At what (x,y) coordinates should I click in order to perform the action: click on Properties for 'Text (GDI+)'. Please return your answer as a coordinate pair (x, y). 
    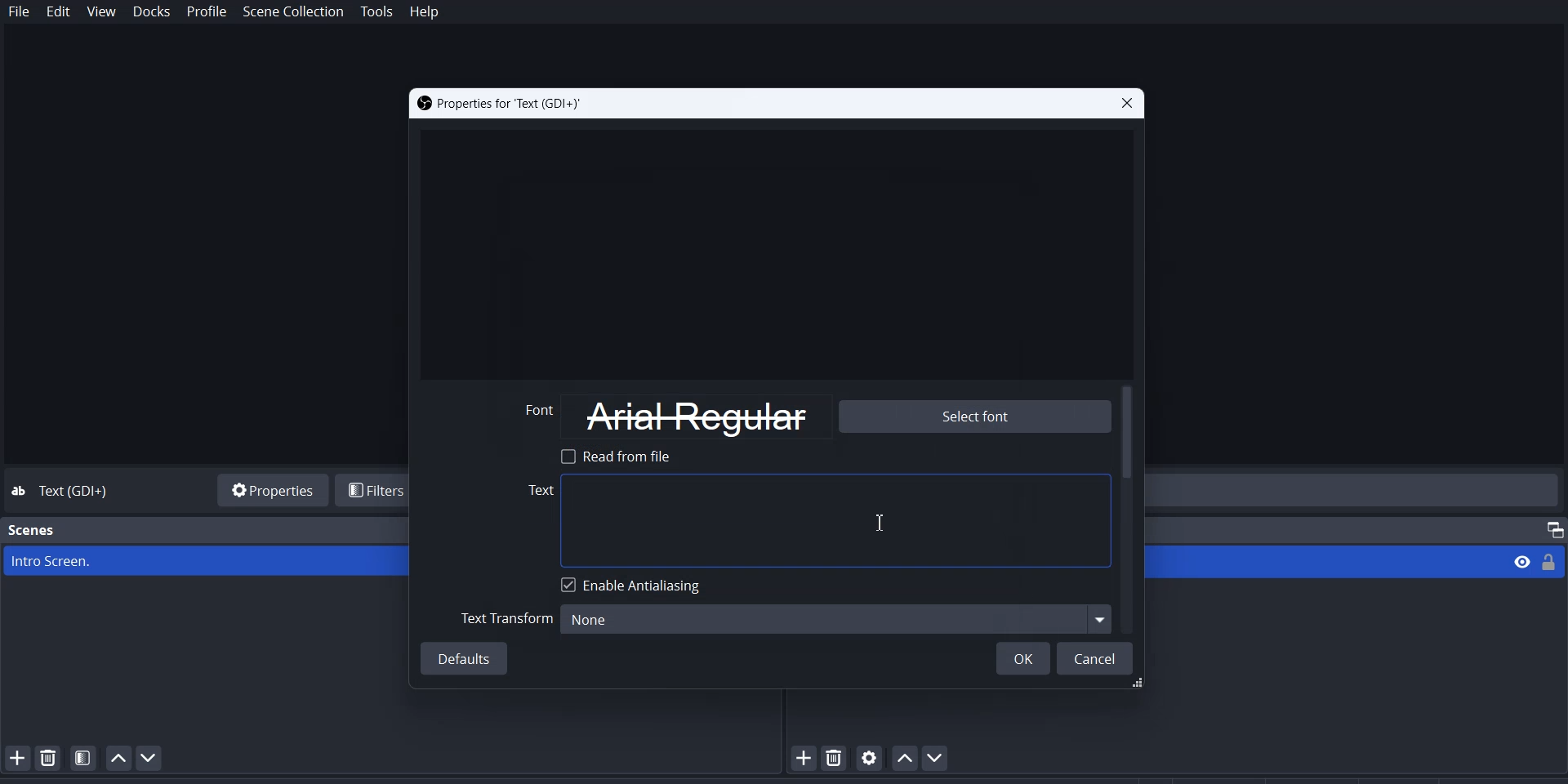
    Looking at the image, I should click on (500, 104).